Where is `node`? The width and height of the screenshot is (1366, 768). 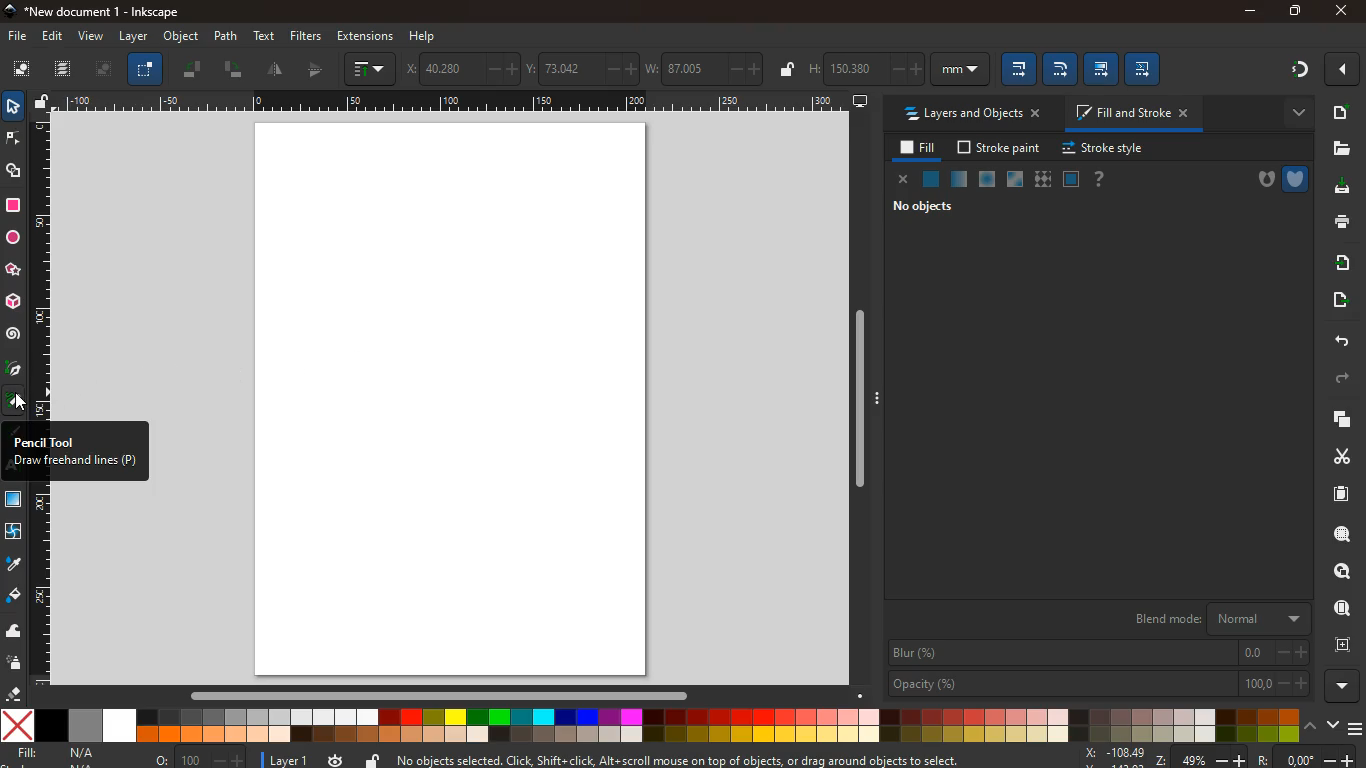 node is located at coordinates (15, 137).